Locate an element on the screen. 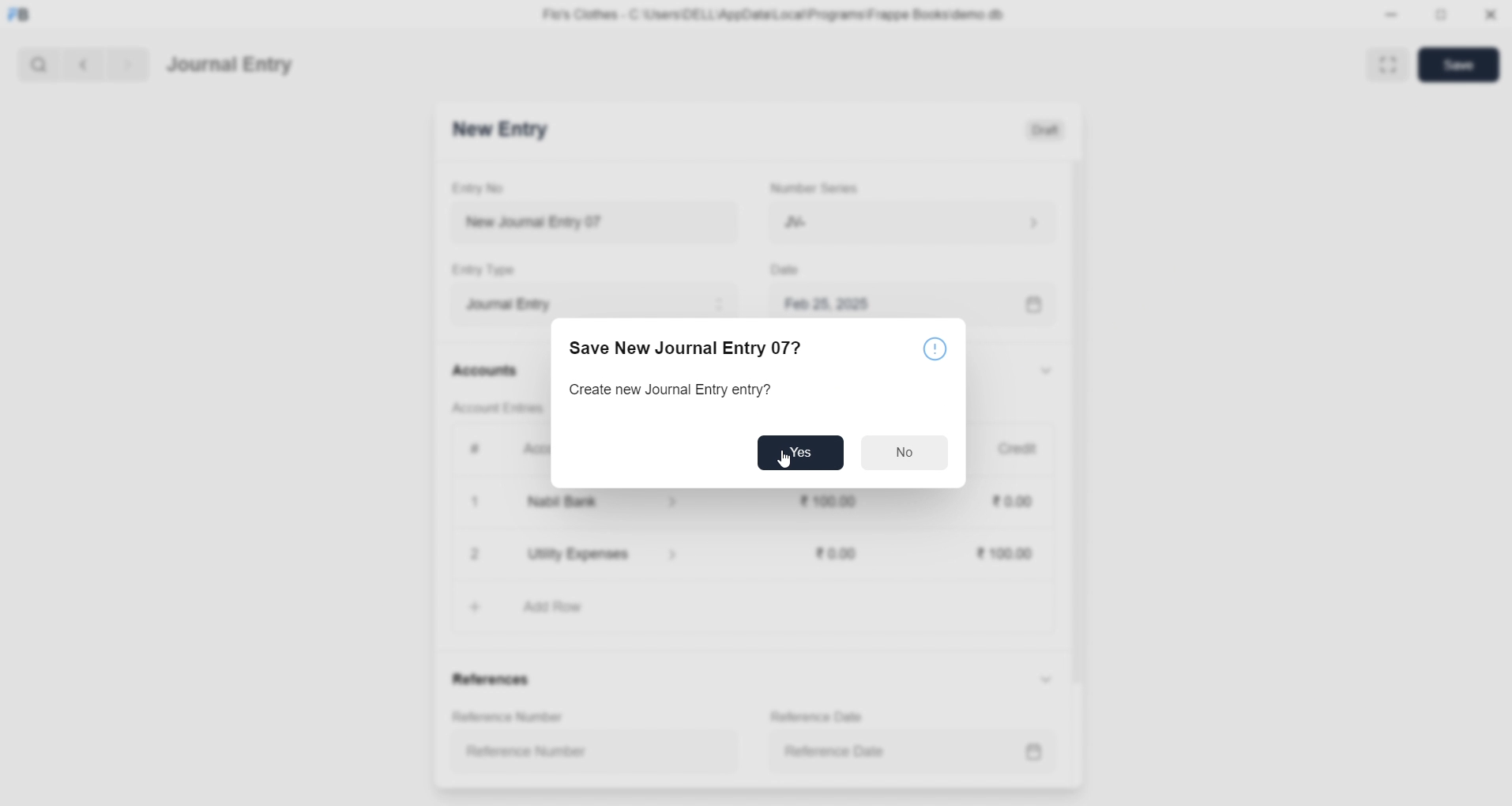 The image size is (1512, 806). Save New Journal Entry 07? is located at coordinates (684, 348).